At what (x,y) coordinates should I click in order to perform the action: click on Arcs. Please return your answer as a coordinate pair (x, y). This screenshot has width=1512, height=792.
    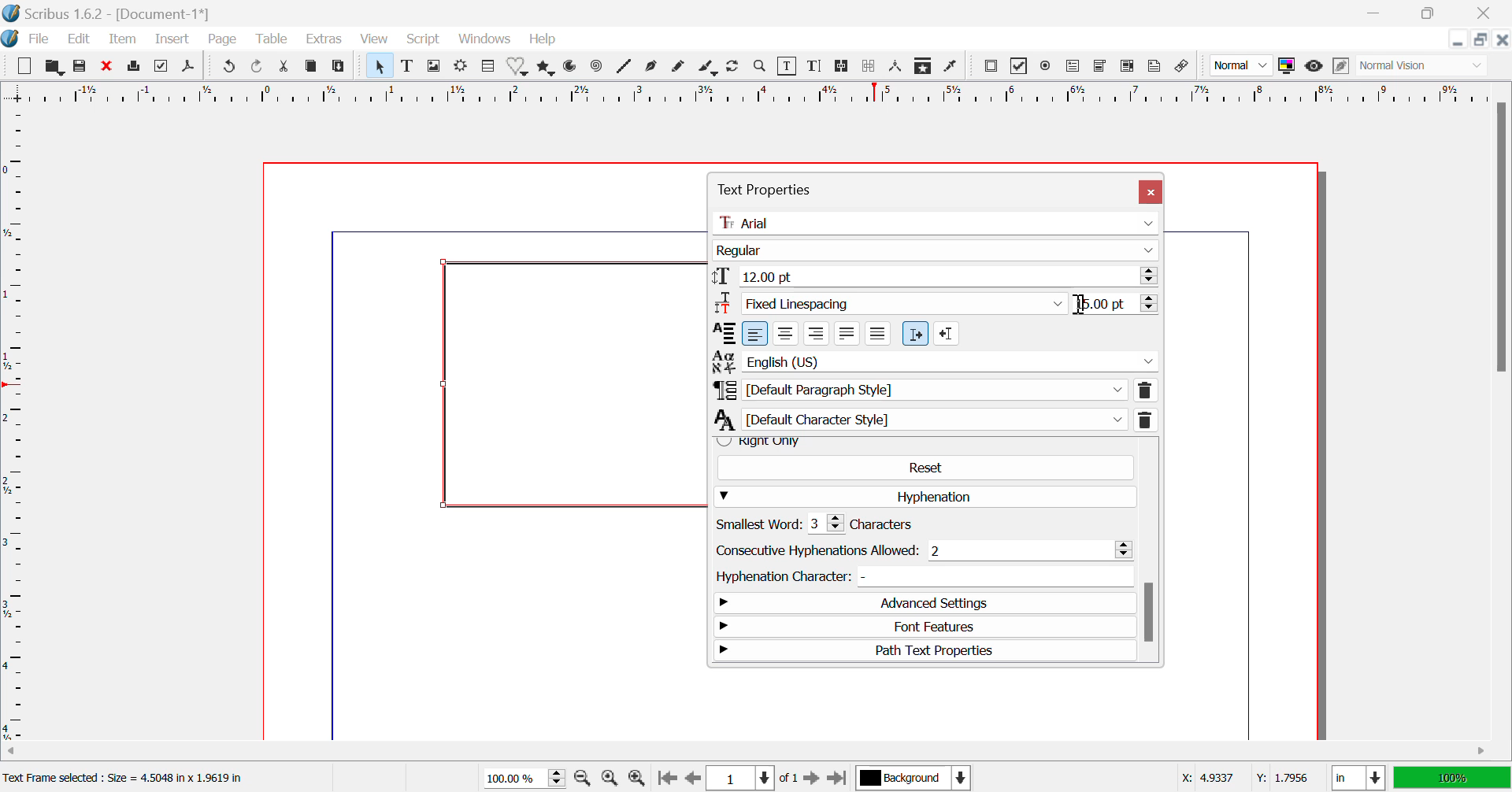
    Looking at the image, I should click on (573, 68).